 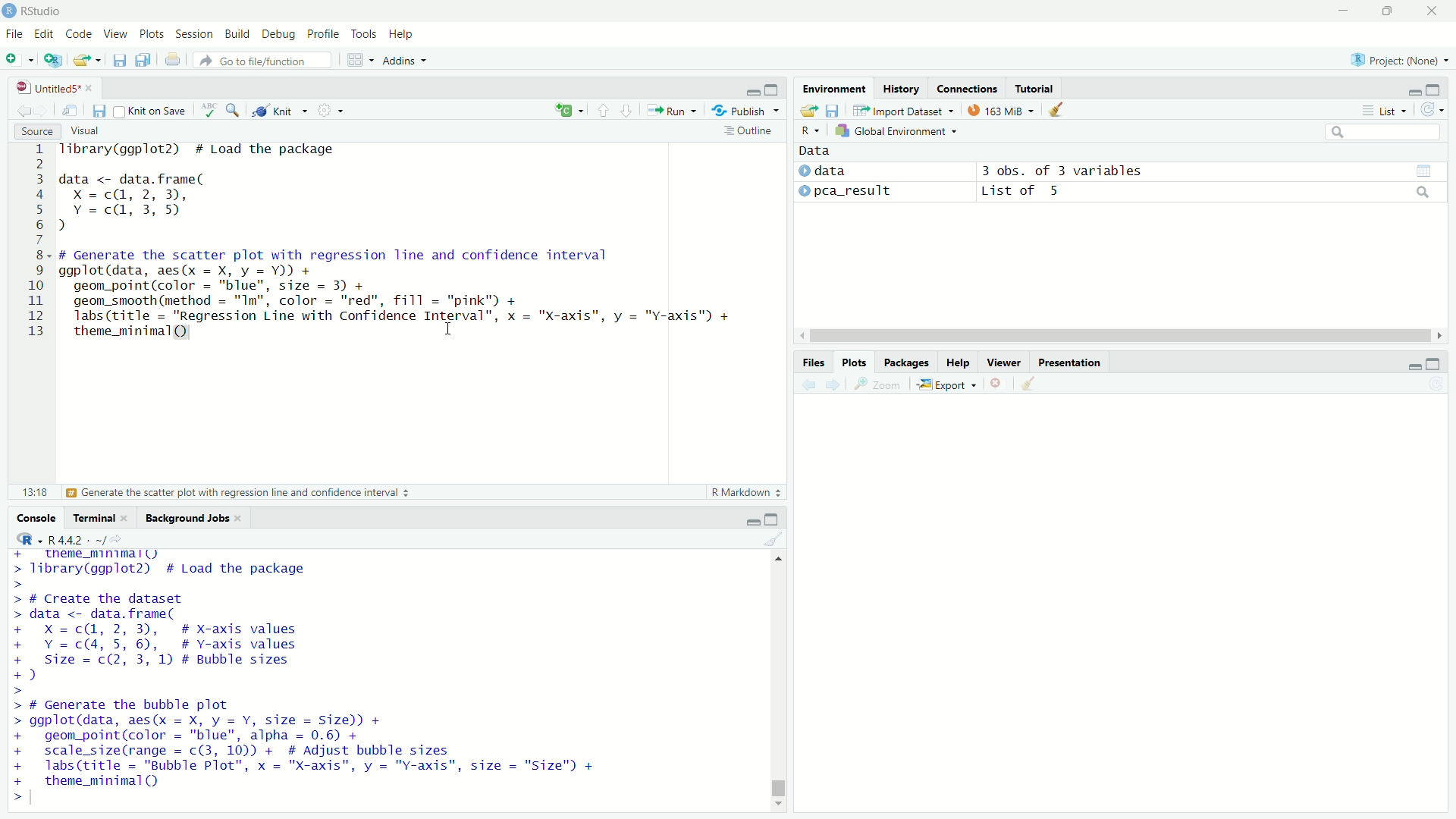 What do you see at coordinates (364, 34) in the screenshot?
I see `Tools` at bounding box center [364, 34].